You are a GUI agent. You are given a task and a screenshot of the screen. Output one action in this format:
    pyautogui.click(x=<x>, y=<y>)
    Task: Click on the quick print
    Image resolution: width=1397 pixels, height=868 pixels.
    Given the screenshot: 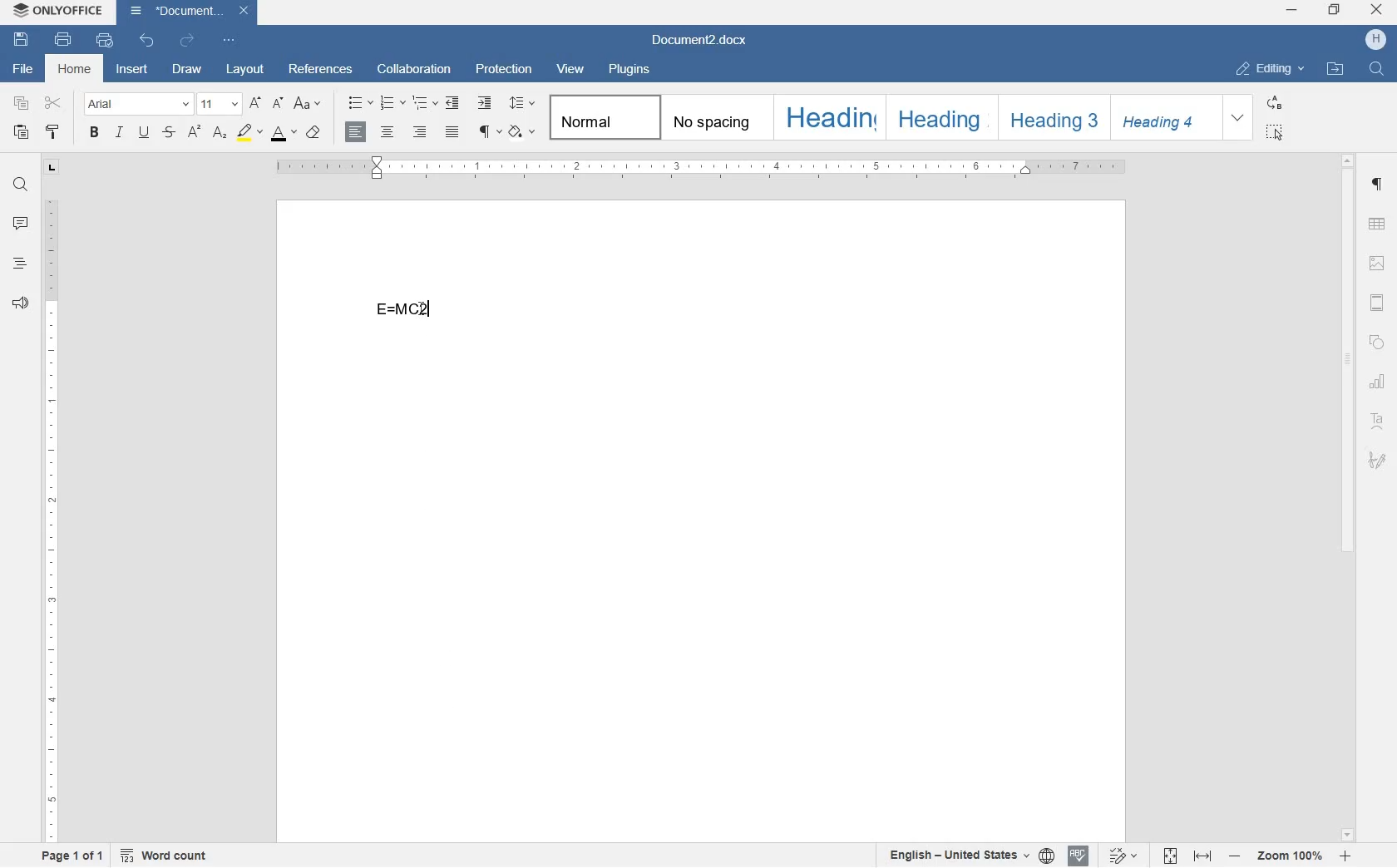 What is the action you would take?
    pyautogui.click(x=104, y=40)
    